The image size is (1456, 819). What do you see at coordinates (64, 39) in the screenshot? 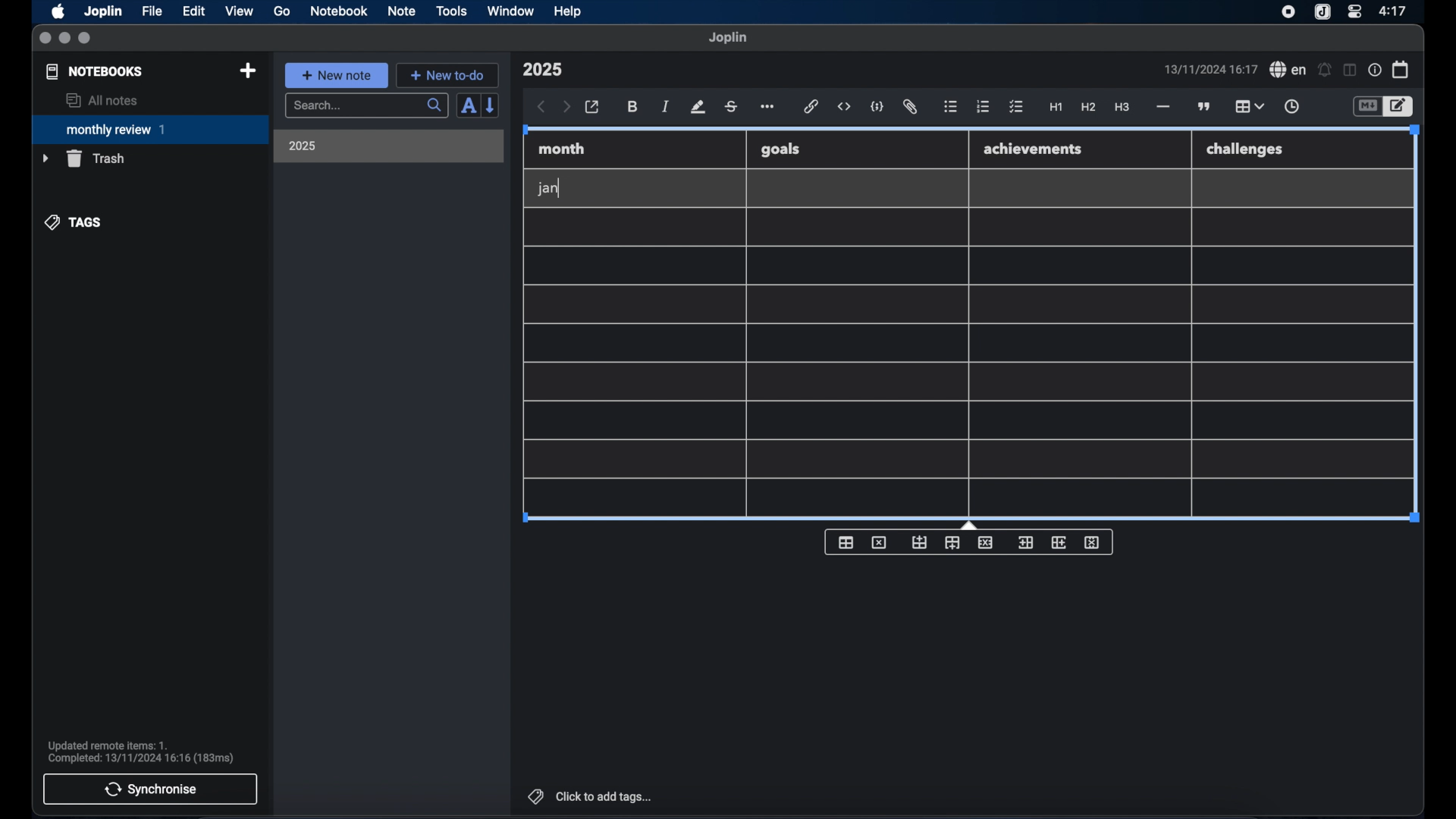
I see `minimize` at bounding box center [64, 39].